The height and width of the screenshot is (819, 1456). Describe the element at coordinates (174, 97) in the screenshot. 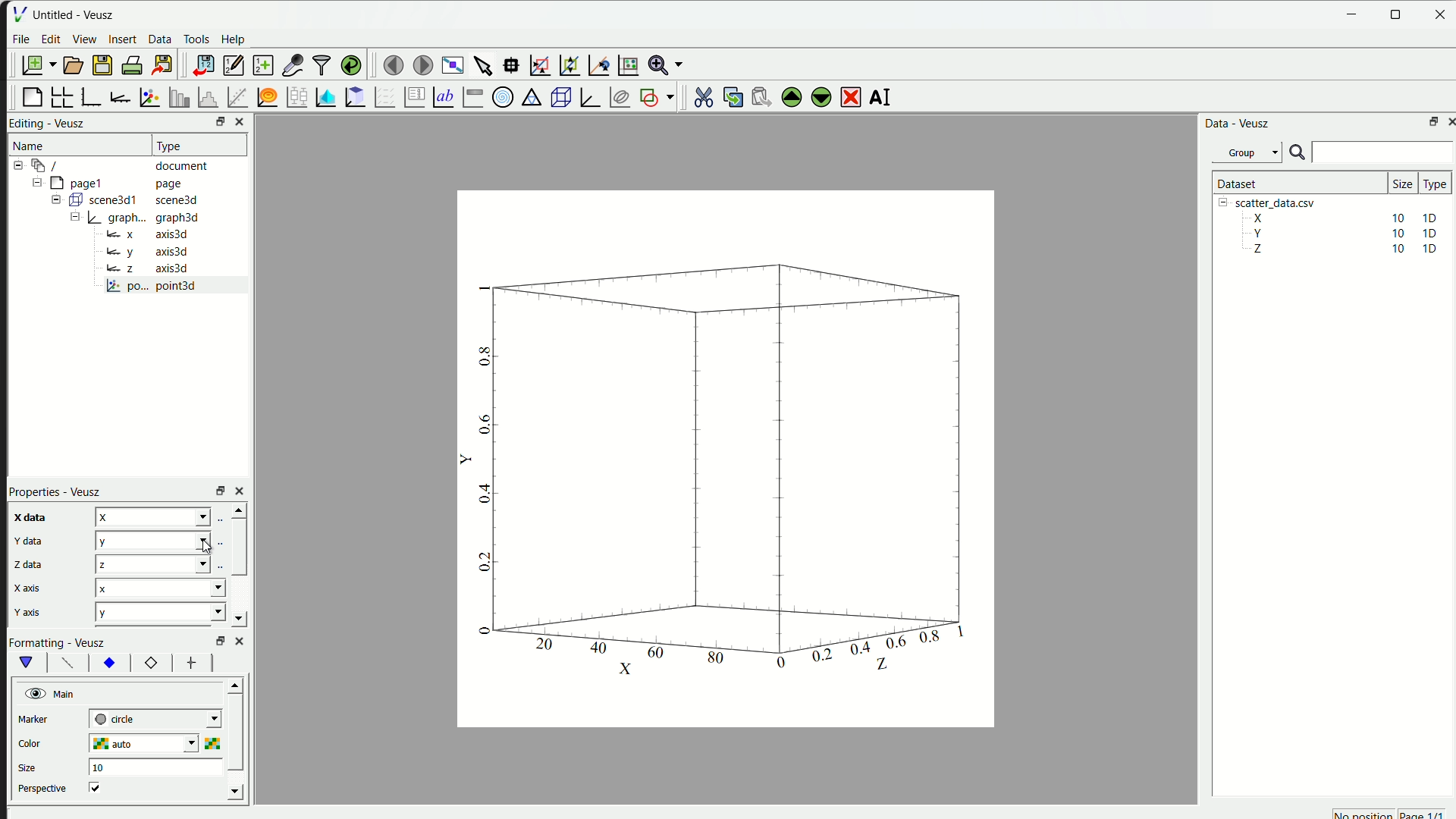

I see `plot bar chart` at that location.